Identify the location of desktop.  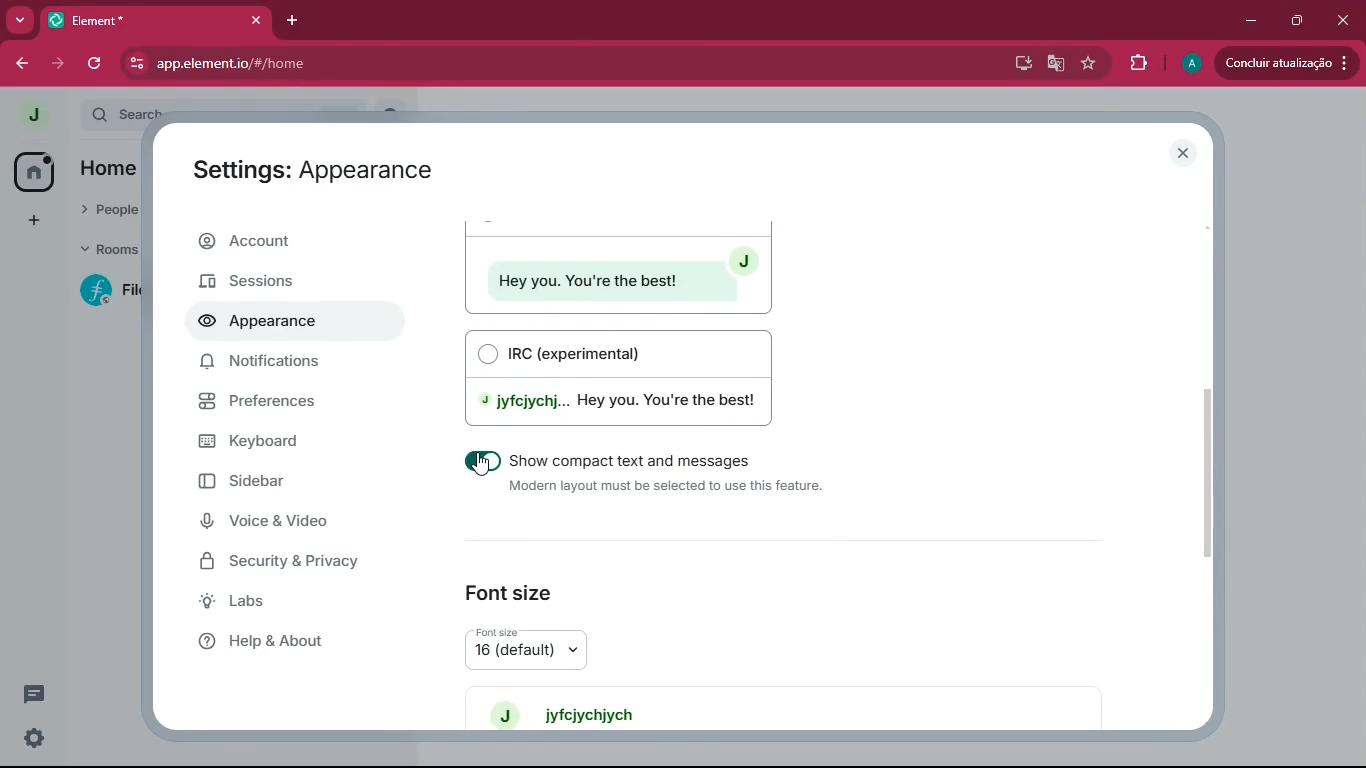
(1019, 64).